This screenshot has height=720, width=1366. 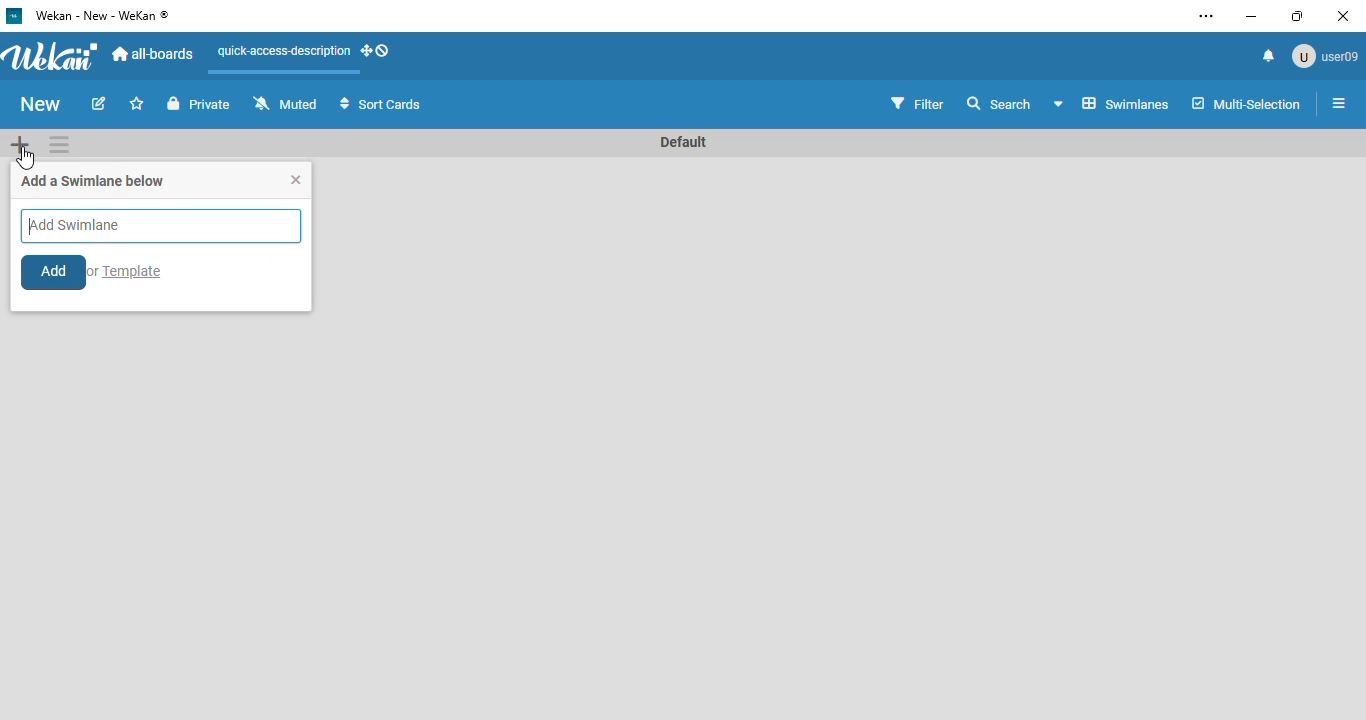 What do you see at coordinates (1270, 56) in the screenshot?
I see `notifications` at bounding box center [1270, 56].